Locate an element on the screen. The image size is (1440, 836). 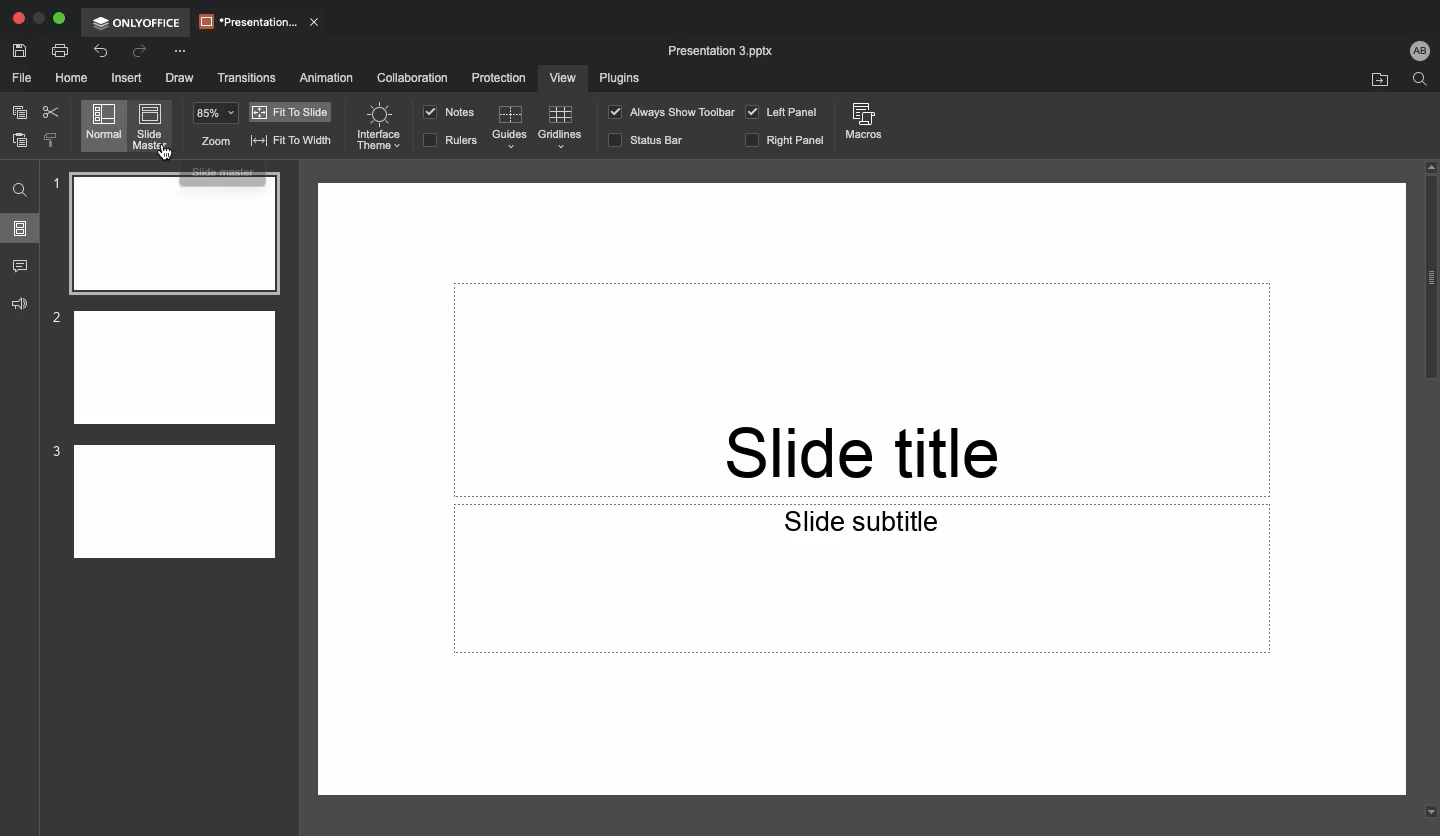
Always show toolbar is located at coordinates (666, 112).